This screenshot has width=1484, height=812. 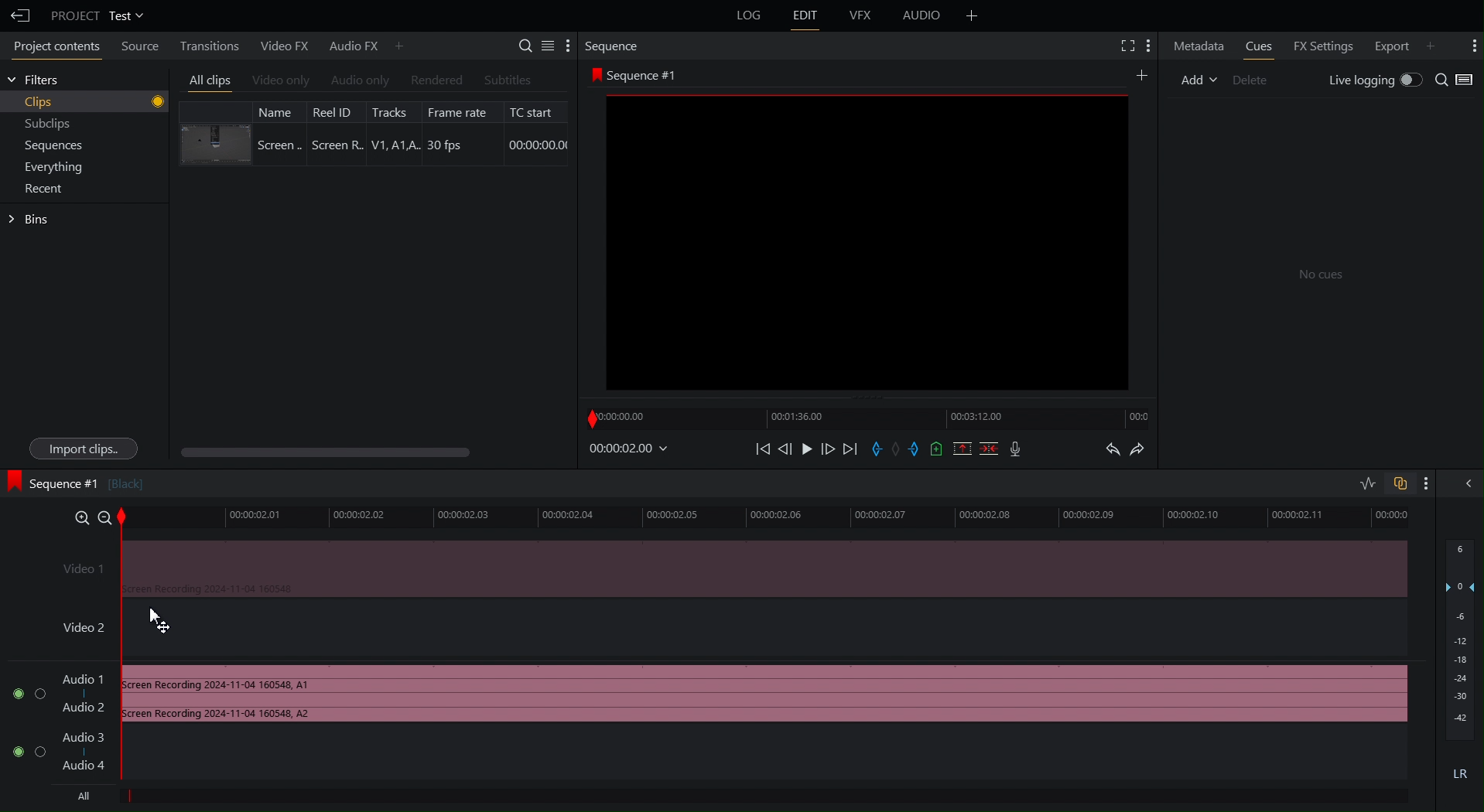 What do you see at coordinates (284, 45) in the screenshot?
I see `Video FX` at bounding box center [284, 45].